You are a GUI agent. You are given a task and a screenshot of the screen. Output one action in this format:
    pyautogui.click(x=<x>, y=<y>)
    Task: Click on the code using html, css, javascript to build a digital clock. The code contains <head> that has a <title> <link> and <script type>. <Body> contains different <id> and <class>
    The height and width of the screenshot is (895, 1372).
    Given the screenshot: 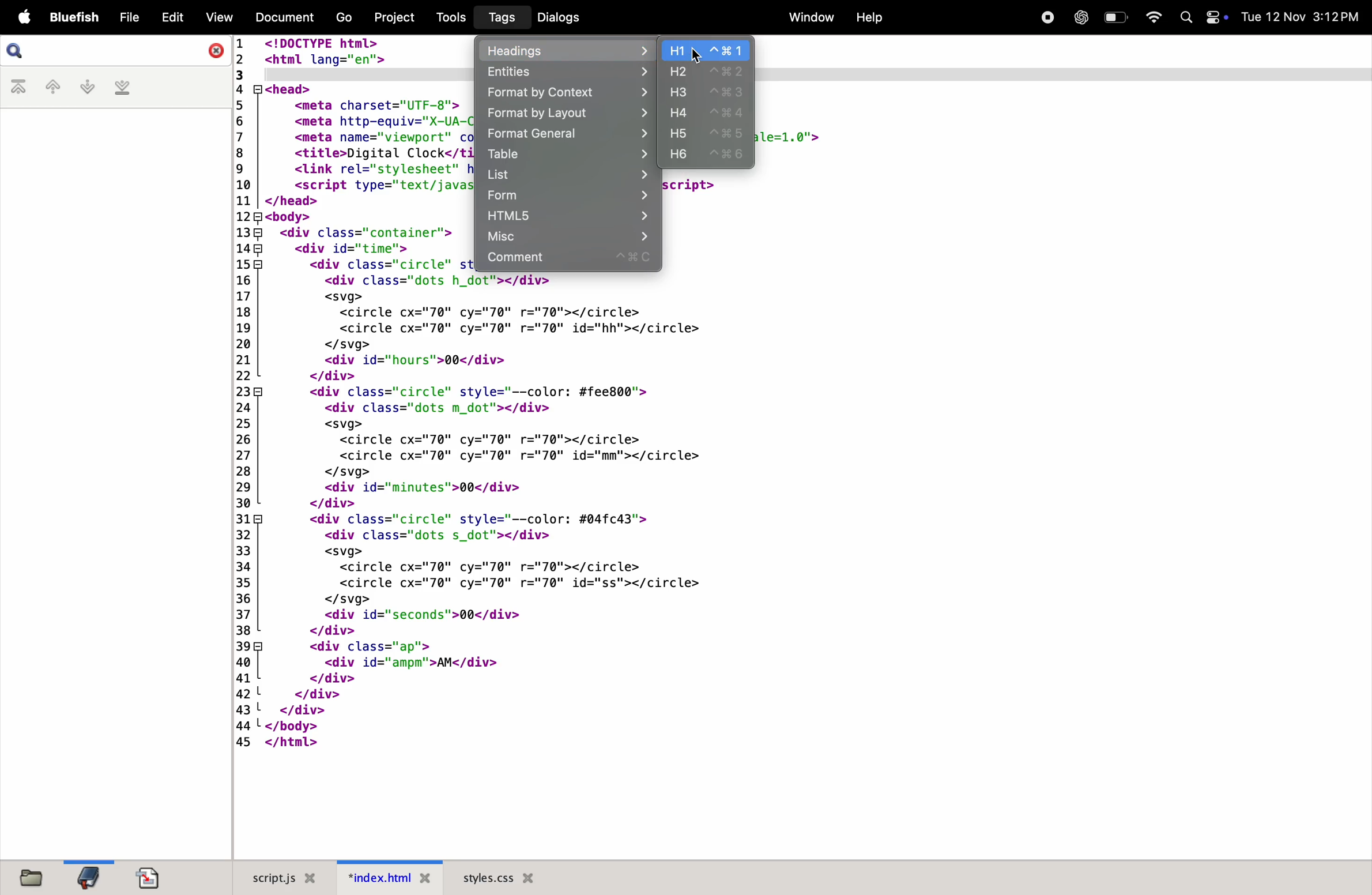 What is the action you would take?
    pyautogui.click(x=800, y=566)
    